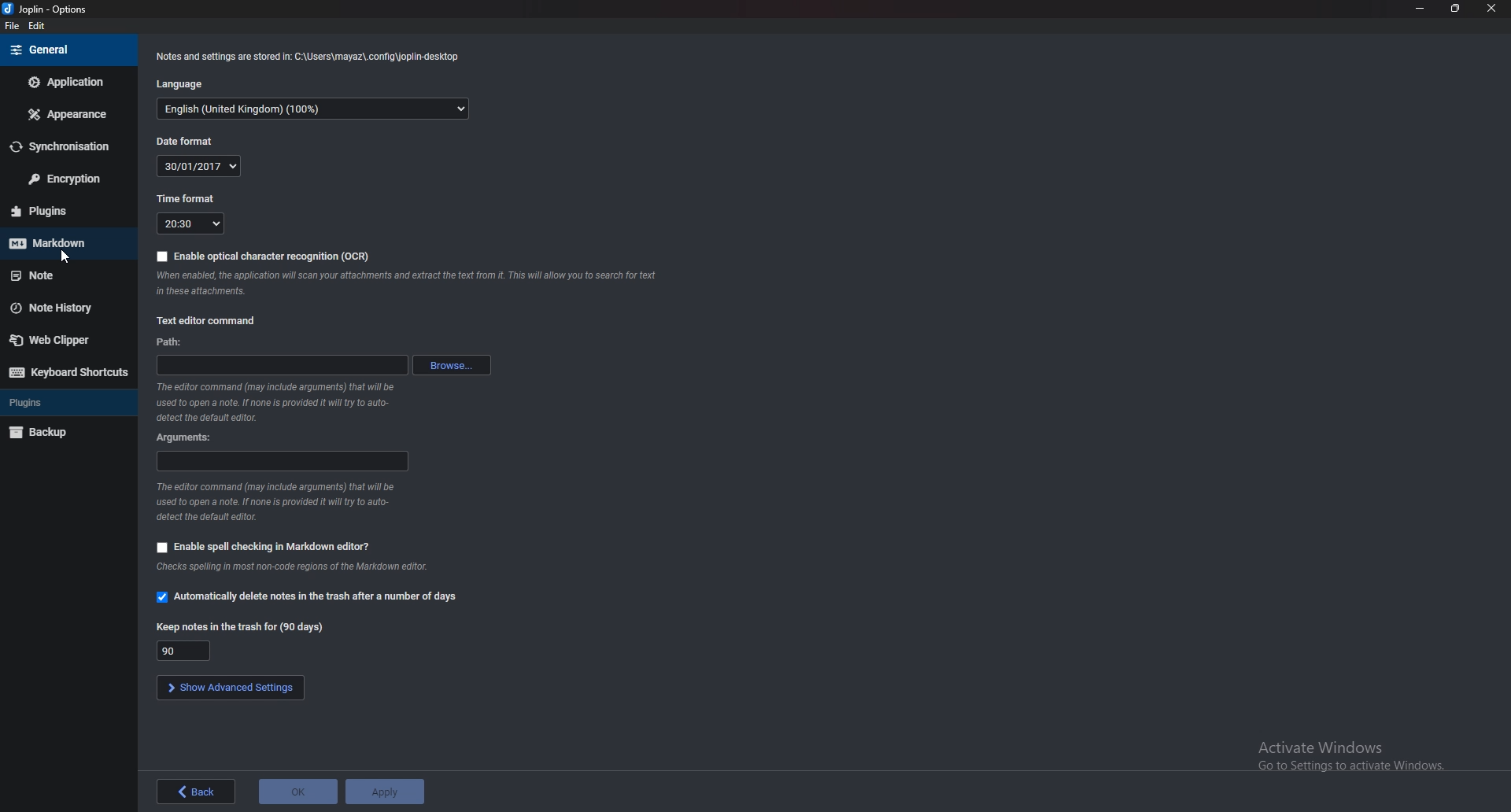 The height and width of the screenshot is (812, 1511). Describe the element at coordinates (15, 26) in the screenshot. I see `file` at that location.